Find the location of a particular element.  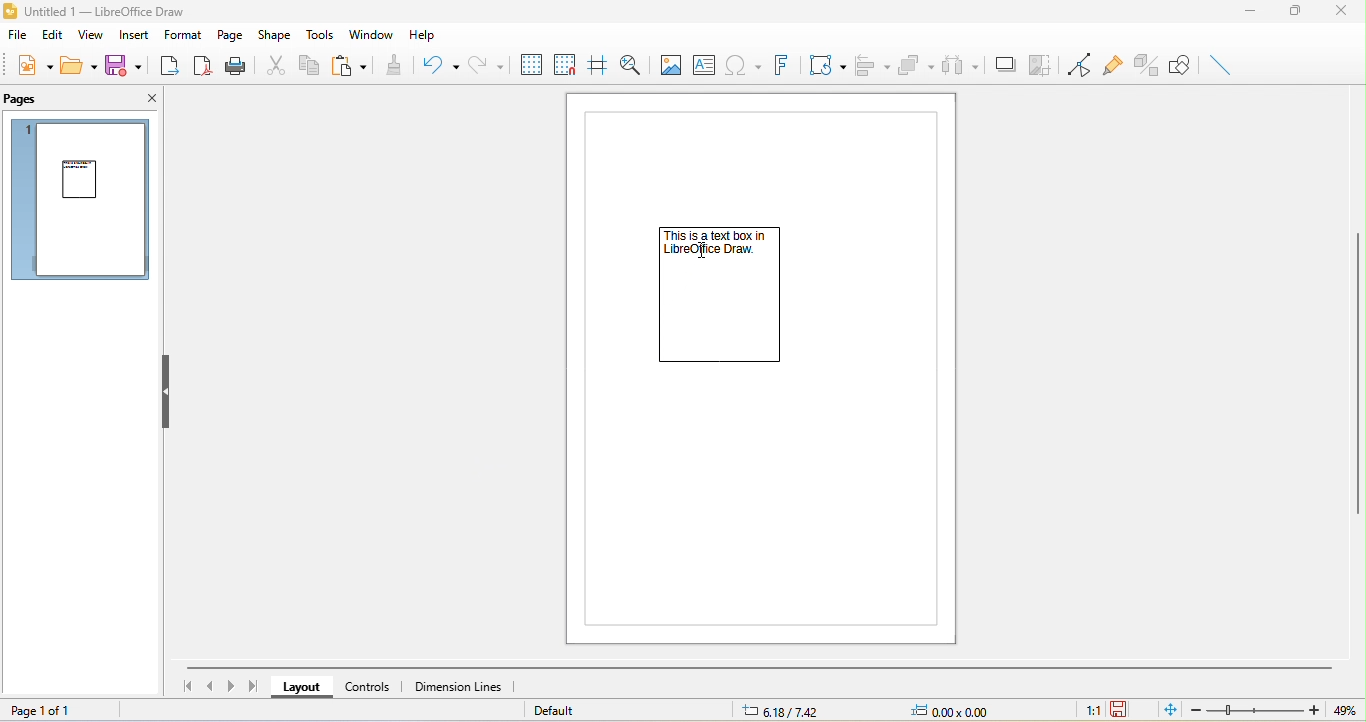

page 1 is located at coordinates (84, 202).